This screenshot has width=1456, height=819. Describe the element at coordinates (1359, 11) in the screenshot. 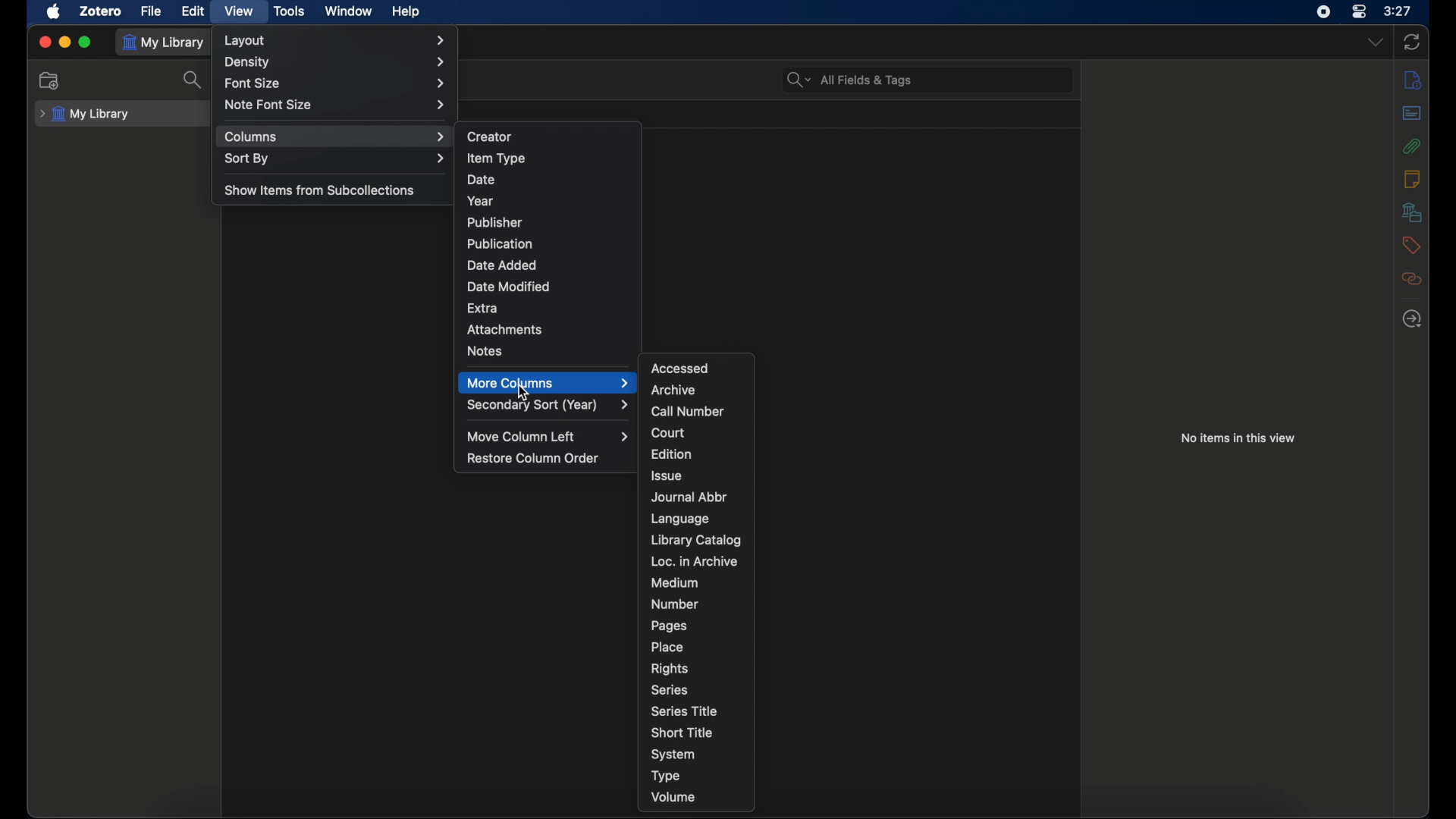

I see `control center` at that location.